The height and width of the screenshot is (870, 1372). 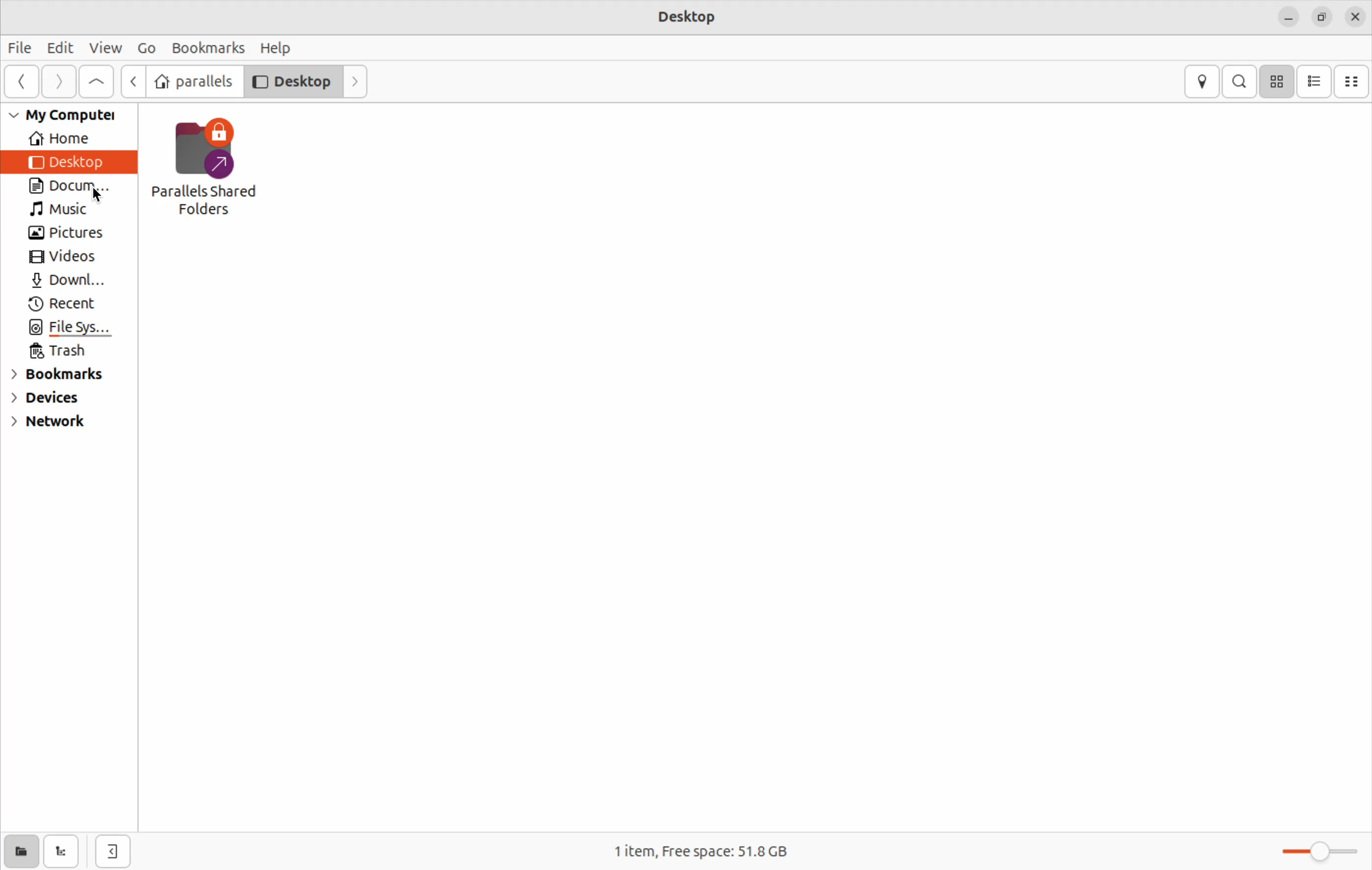 I want to click on parallels, so click(x=193, y=81).